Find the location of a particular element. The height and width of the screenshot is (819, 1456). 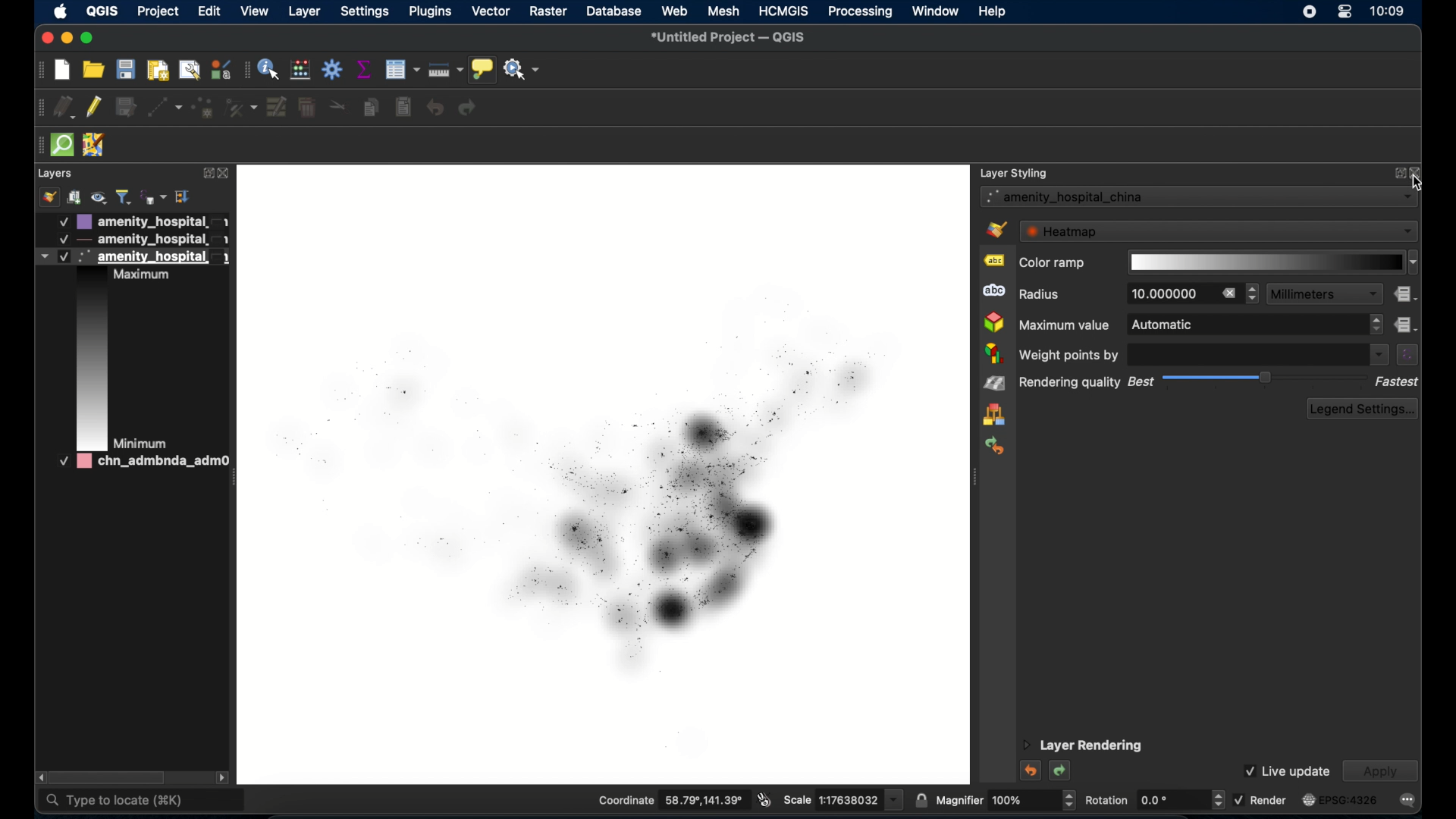

filter legend is located at coordinates (124, 197).